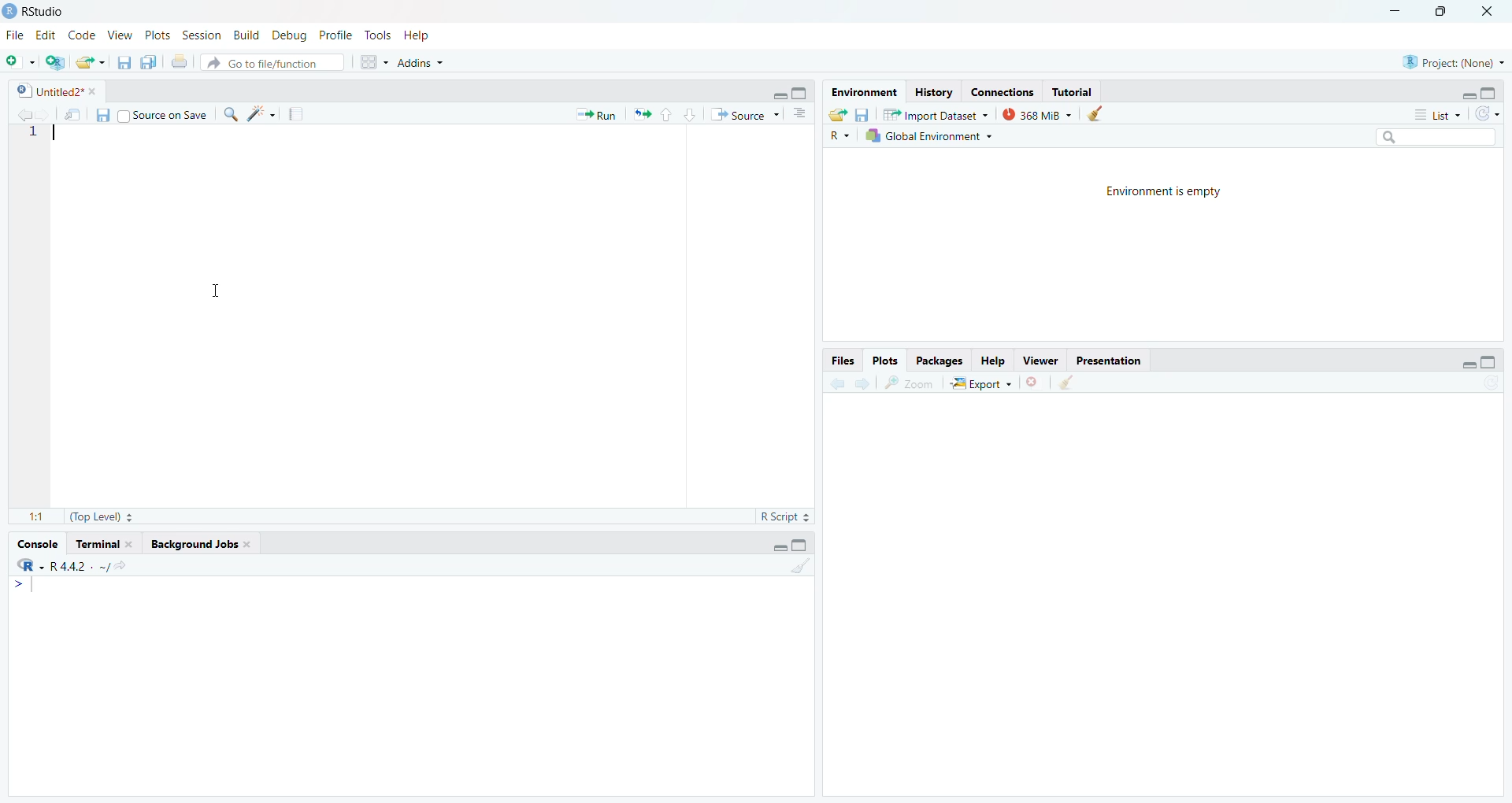 The width and height of the screenshot is (1512, 803). Describe the element at coordinates (1033, 385) in the screenshot. I see `close` at that location.